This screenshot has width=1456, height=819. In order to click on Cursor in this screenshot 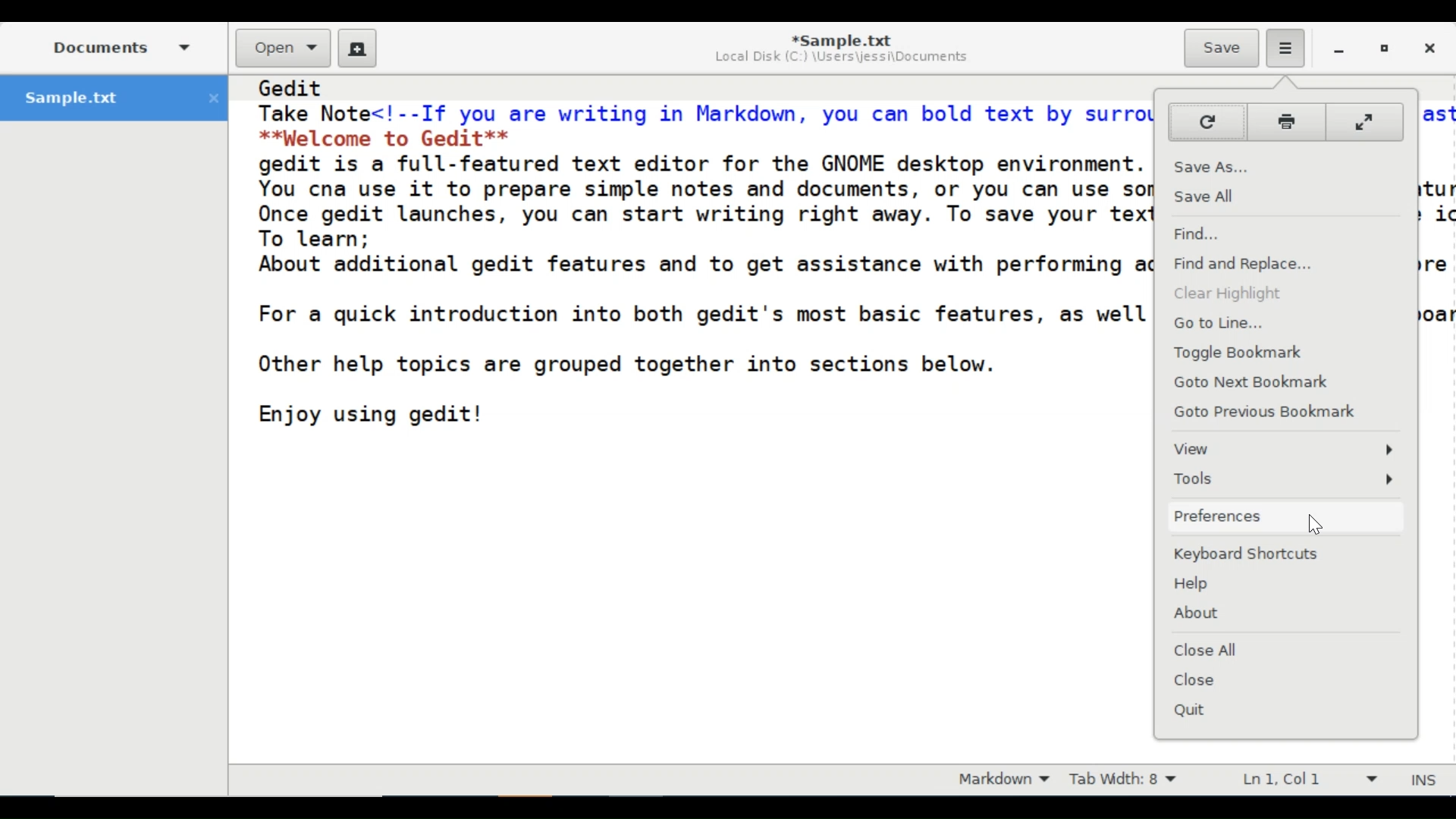, I will do `click(1319, 526)`.